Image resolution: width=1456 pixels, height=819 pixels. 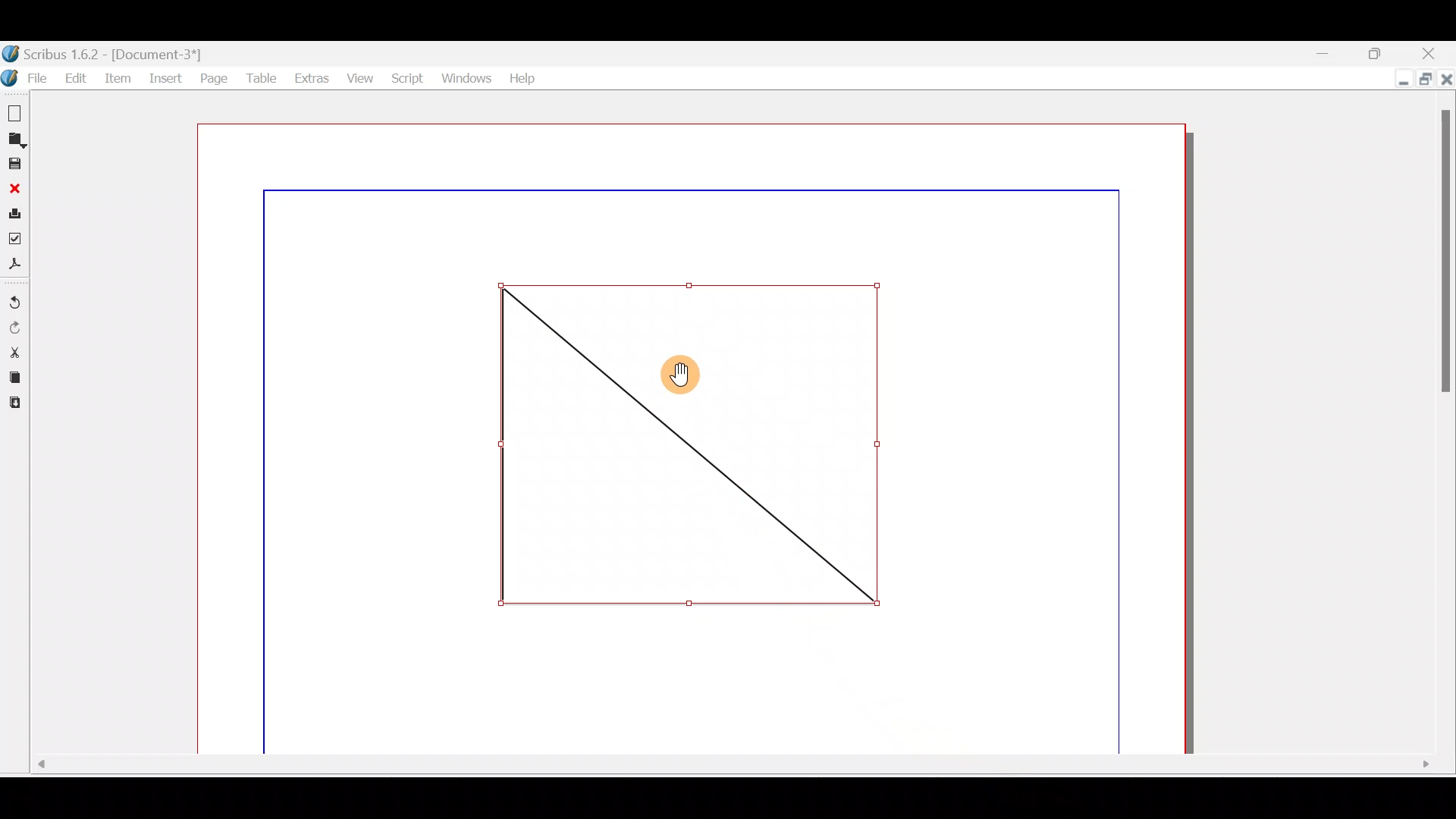 I want to click on Close, so click(x=1446, y=84).